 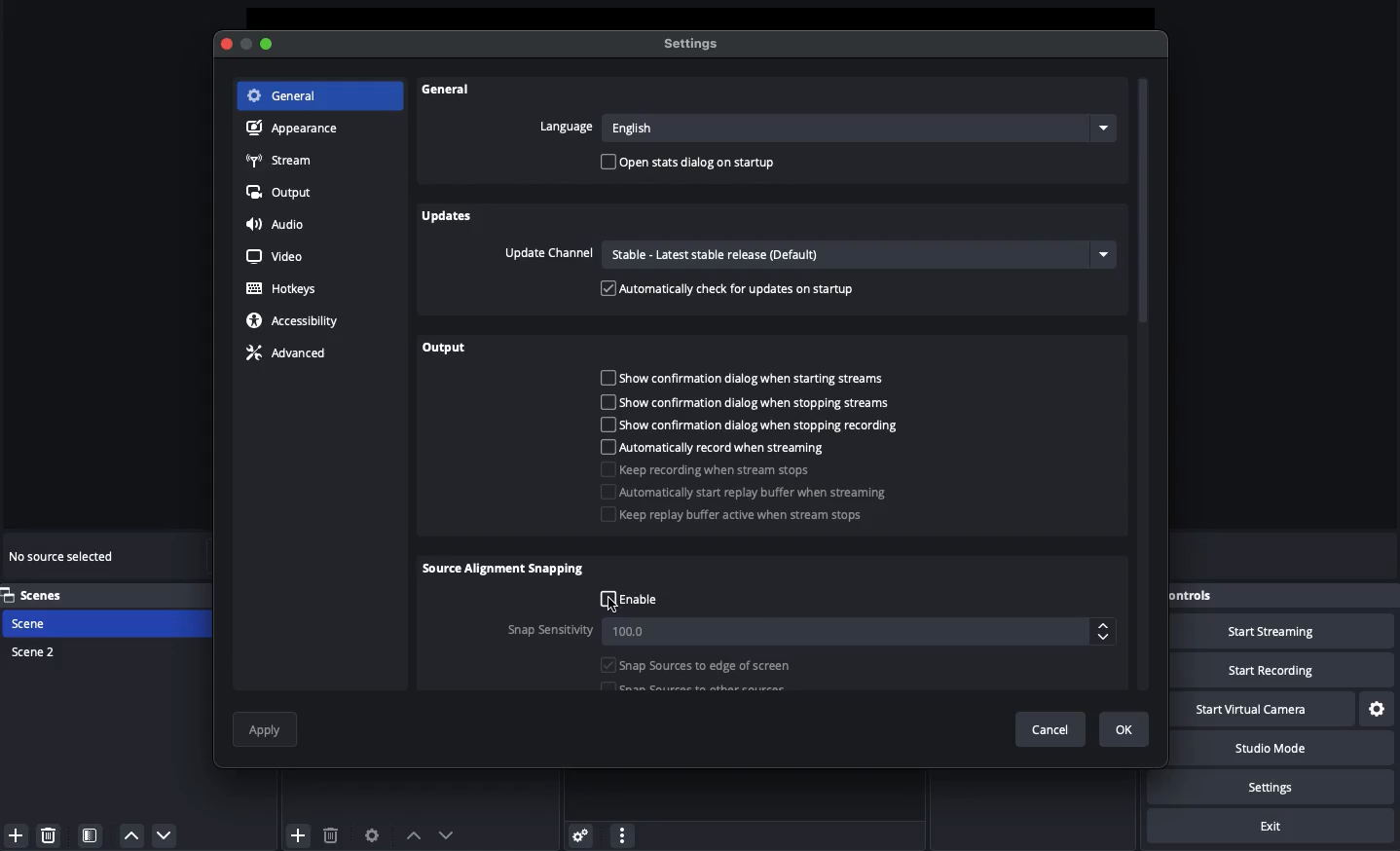 I want to click on General, so click(x=449, y=94).